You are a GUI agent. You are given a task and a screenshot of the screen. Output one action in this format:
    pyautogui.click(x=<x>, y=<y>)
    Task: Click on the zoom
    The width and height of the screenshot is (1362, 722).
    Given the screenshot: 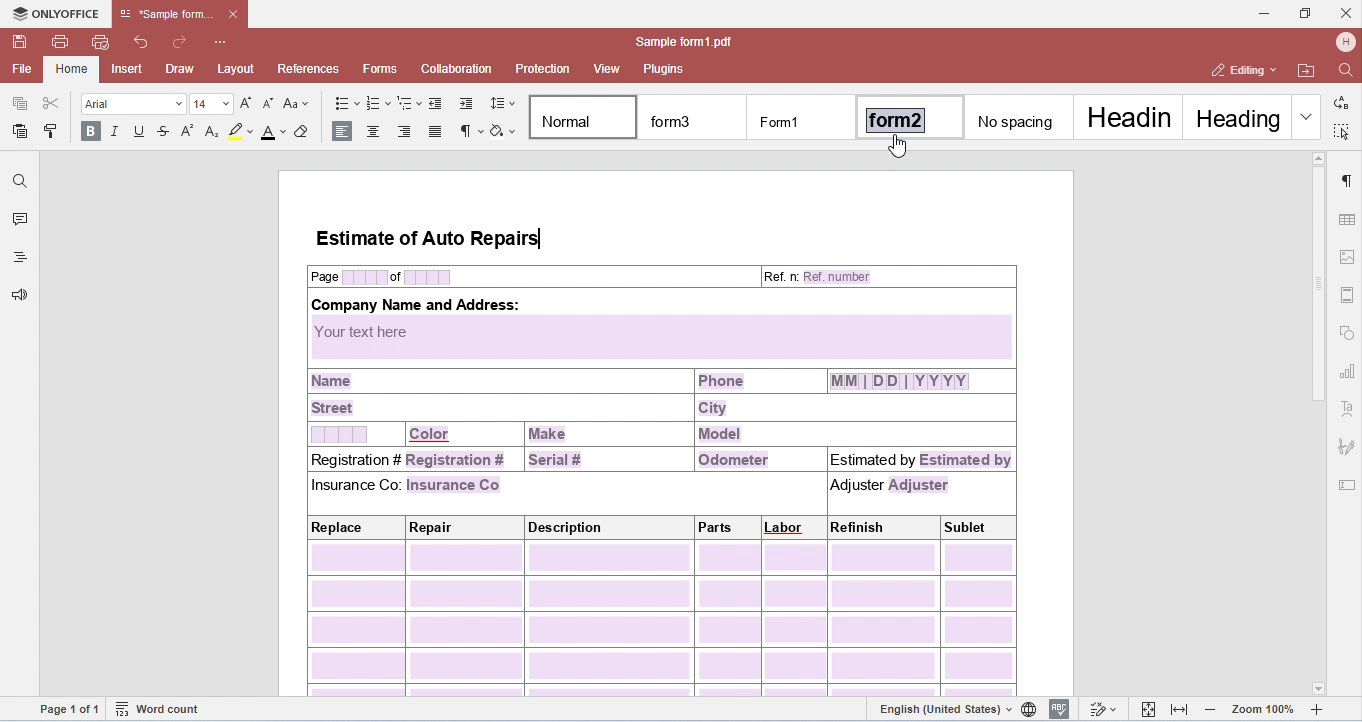 What is the action you would take?
    pyautogui.click(x=1267, y=710)
    